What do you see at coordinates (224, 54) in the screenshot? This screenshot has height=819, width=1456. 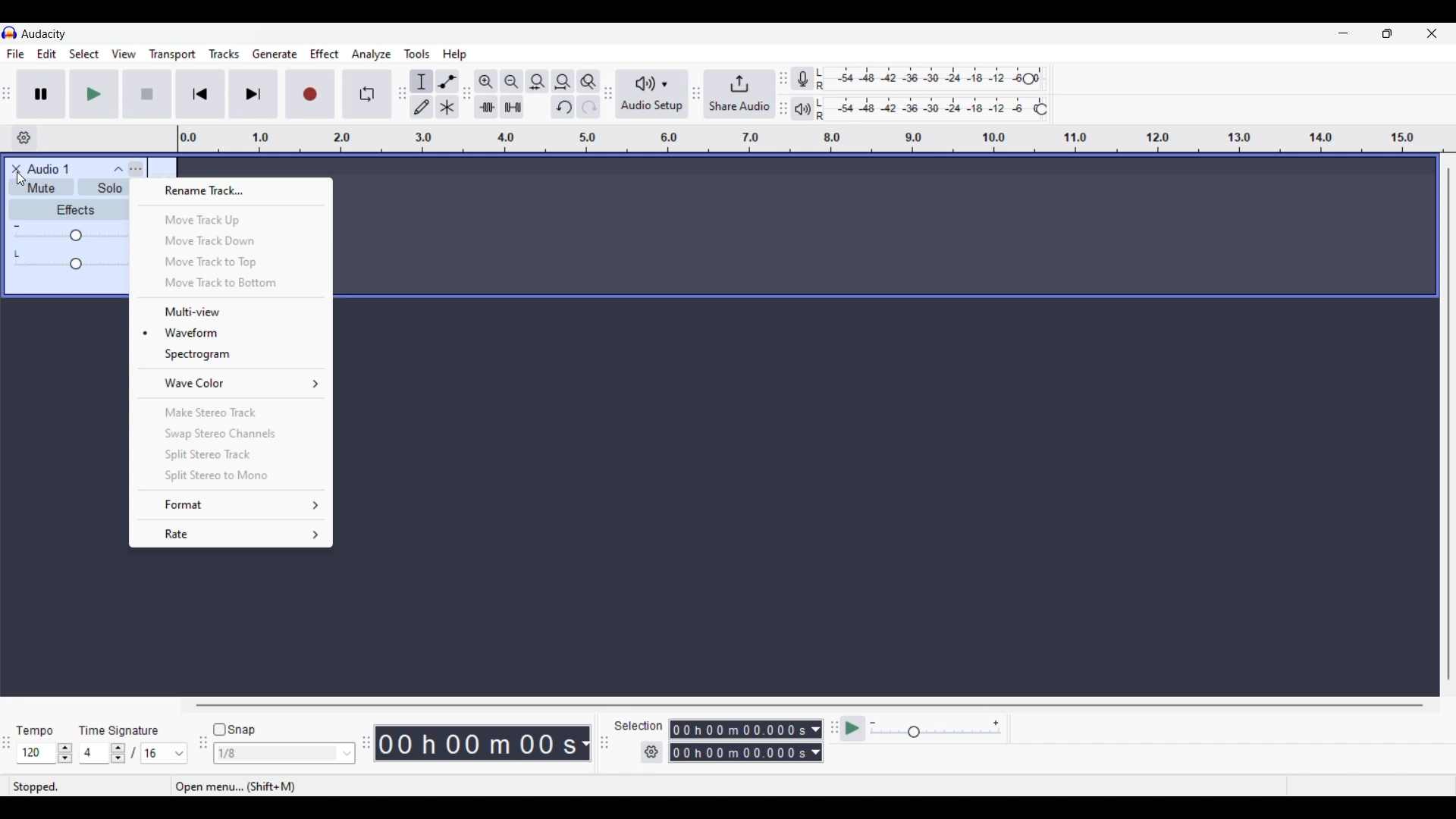 I see `Tracks menu` at bounding box center [224, 54].